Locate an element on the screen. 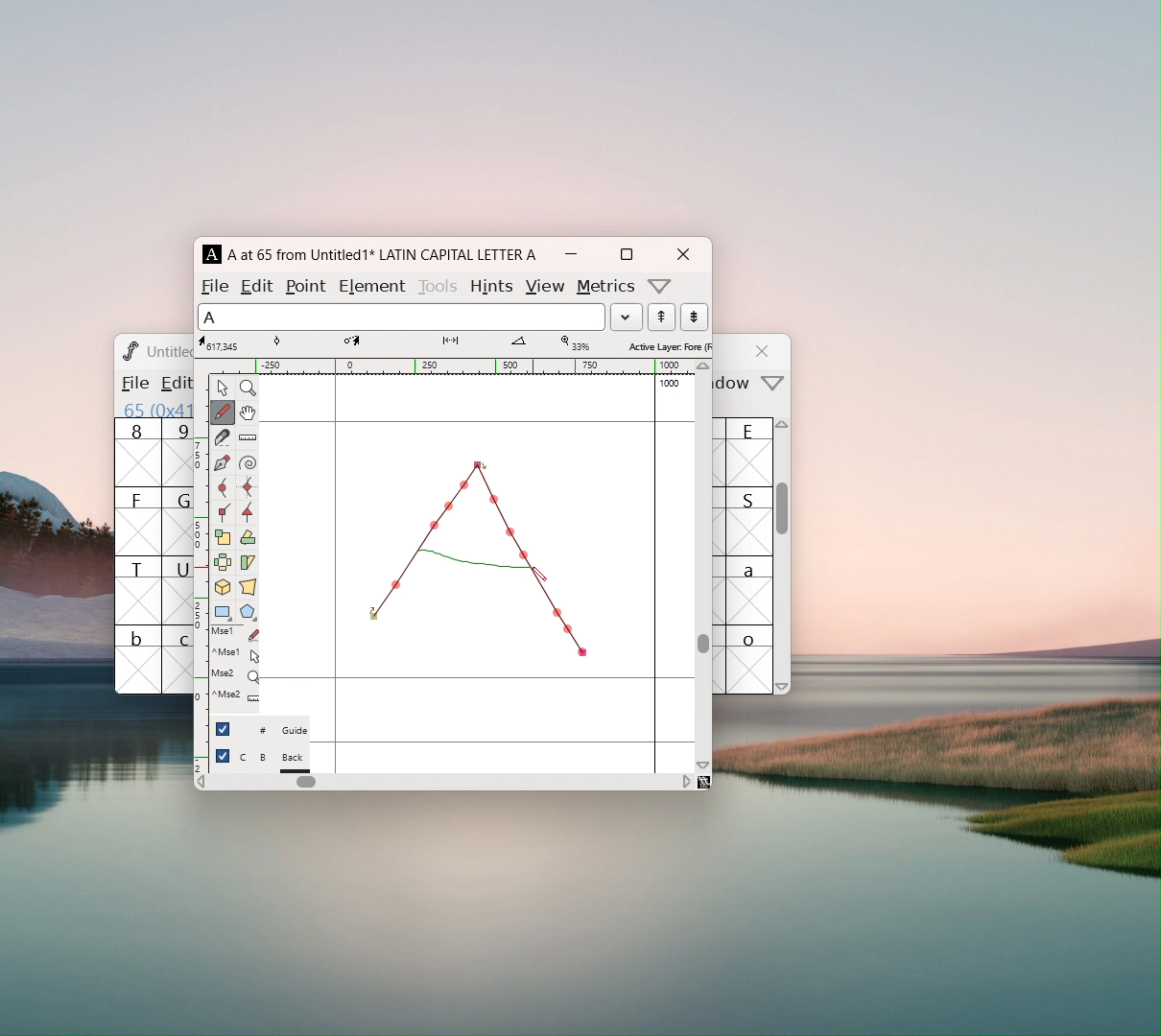 This screenshot has width=1161, height=1036. selected layer is located at coordinates (667, 345).